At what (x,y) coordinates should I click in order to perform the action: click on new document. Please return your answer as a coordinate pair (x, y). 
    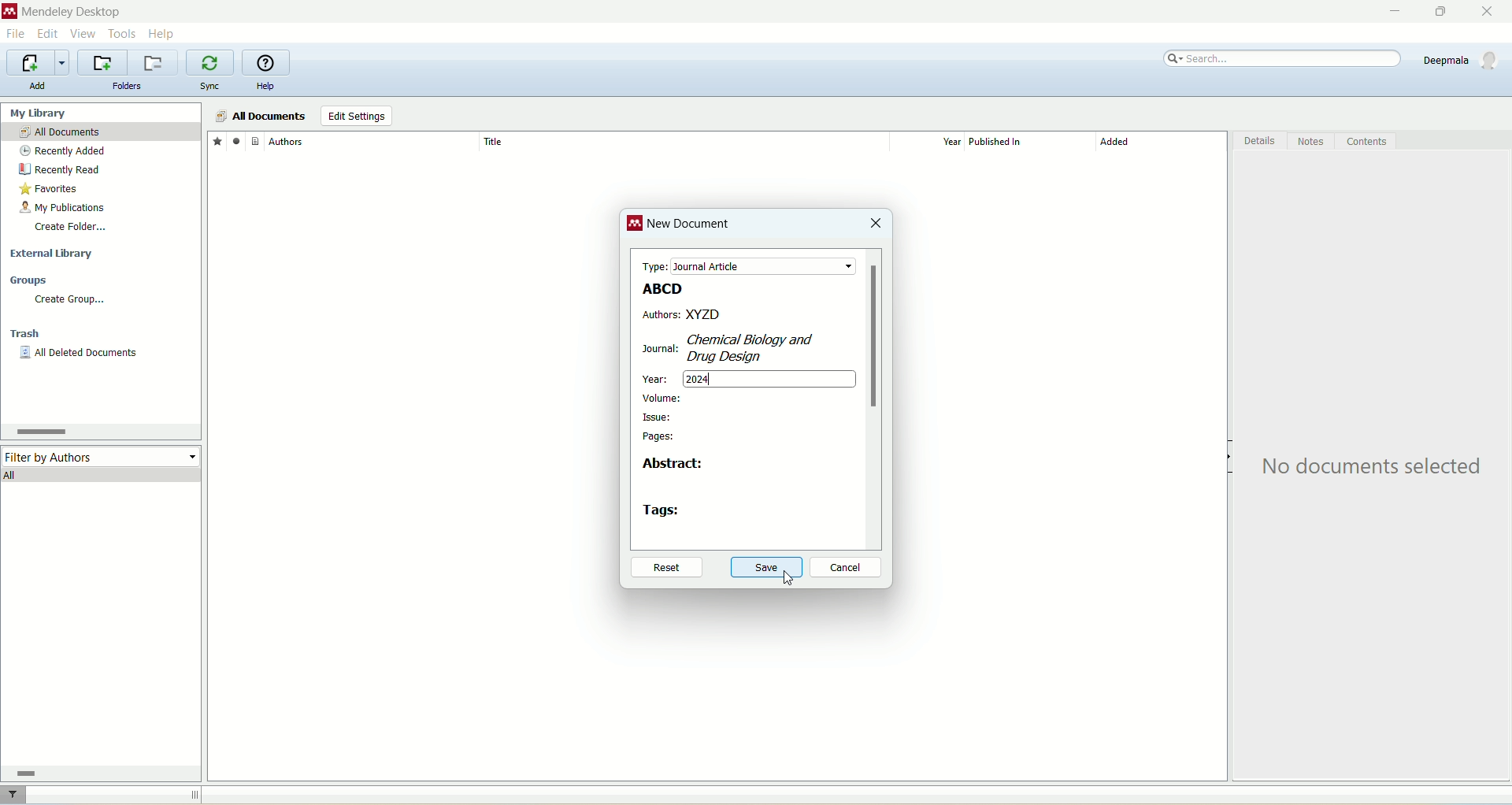
    Looking at the image, I should click on (691, 227).